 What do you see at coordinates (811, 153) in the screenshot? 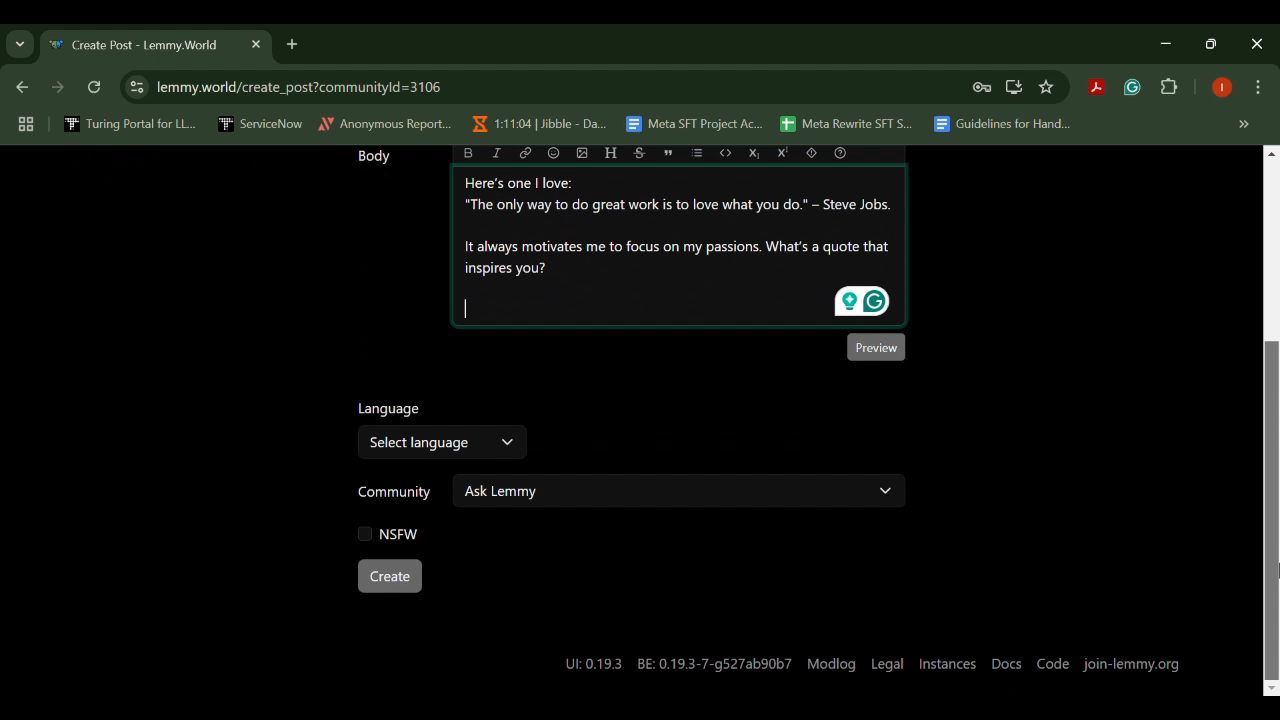
I see `spoiler` at bounding box center [811, 153].